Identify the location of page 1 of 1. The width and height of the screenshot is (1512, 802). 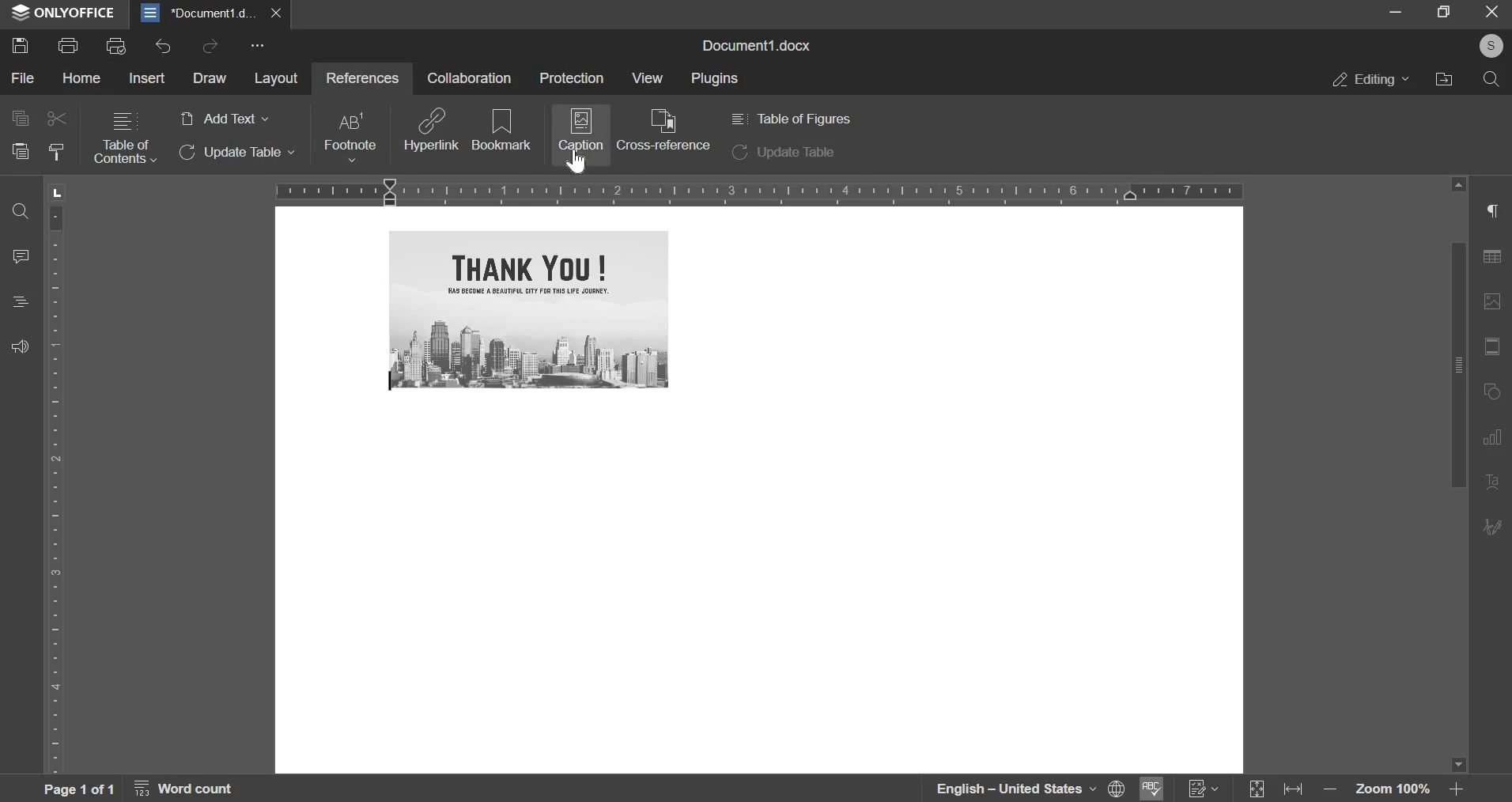
(76, 789).